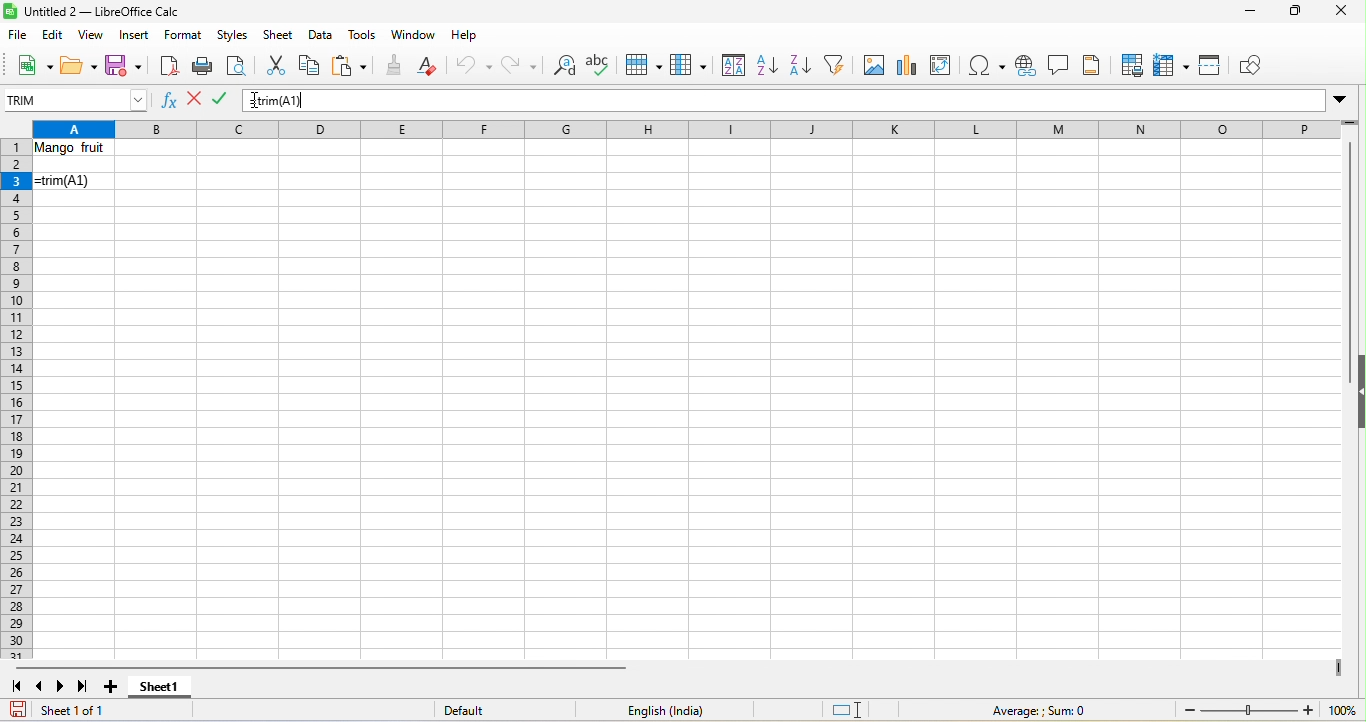 Image resolution: width=1366 pixels, height=722 pixels. I want to click on special character, so click(990, 66).